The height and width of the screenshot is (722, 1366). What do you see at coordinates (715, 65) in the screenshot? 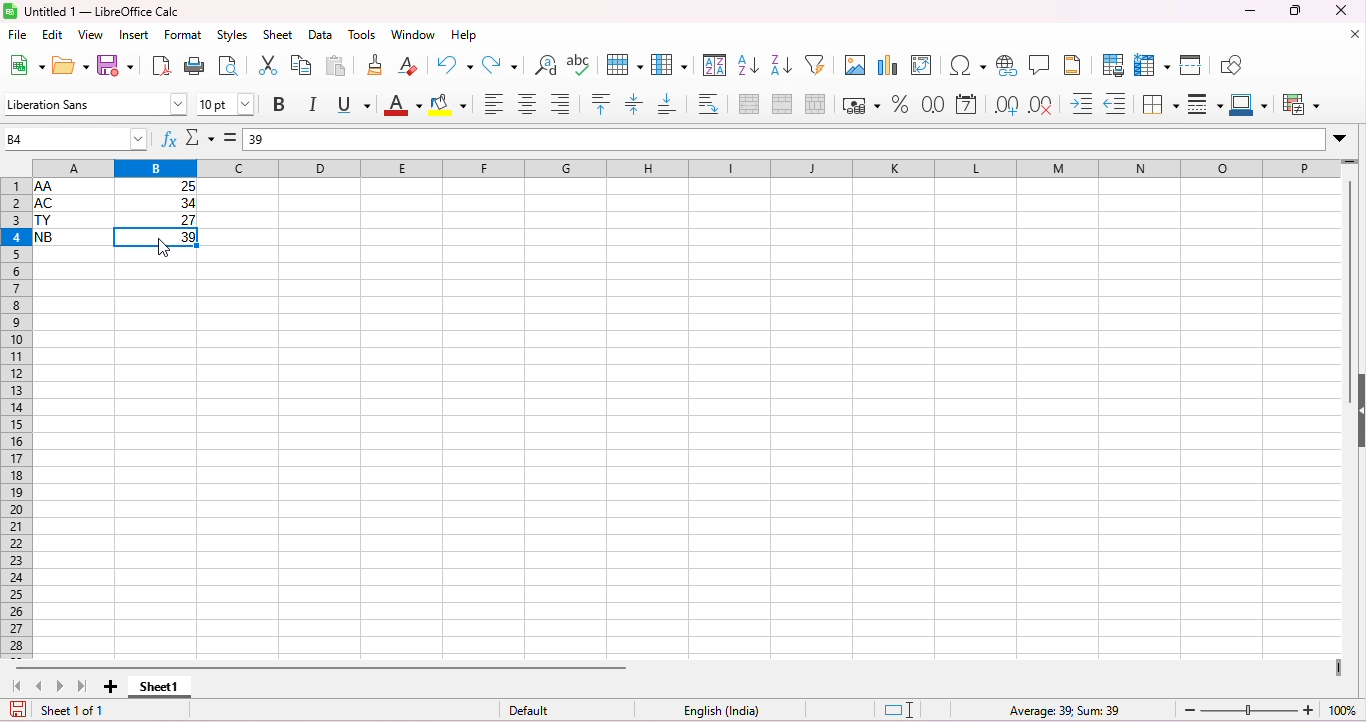
I see `sort` at bounding box center [715, 65].